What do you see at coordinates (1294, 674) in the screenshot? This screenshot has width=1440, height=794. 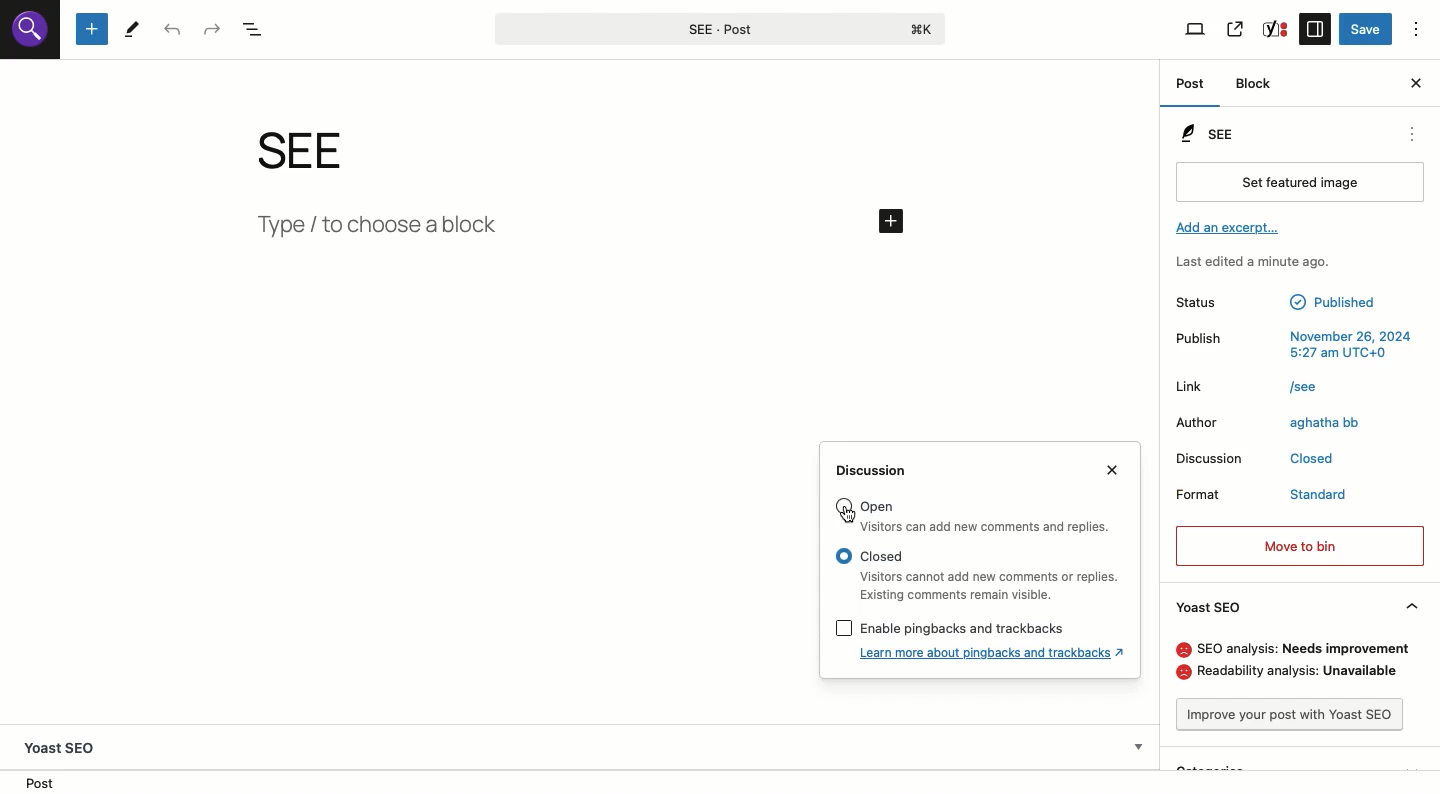 I see `Readability analysis: unavailable` at bounding box center [1294, 674].